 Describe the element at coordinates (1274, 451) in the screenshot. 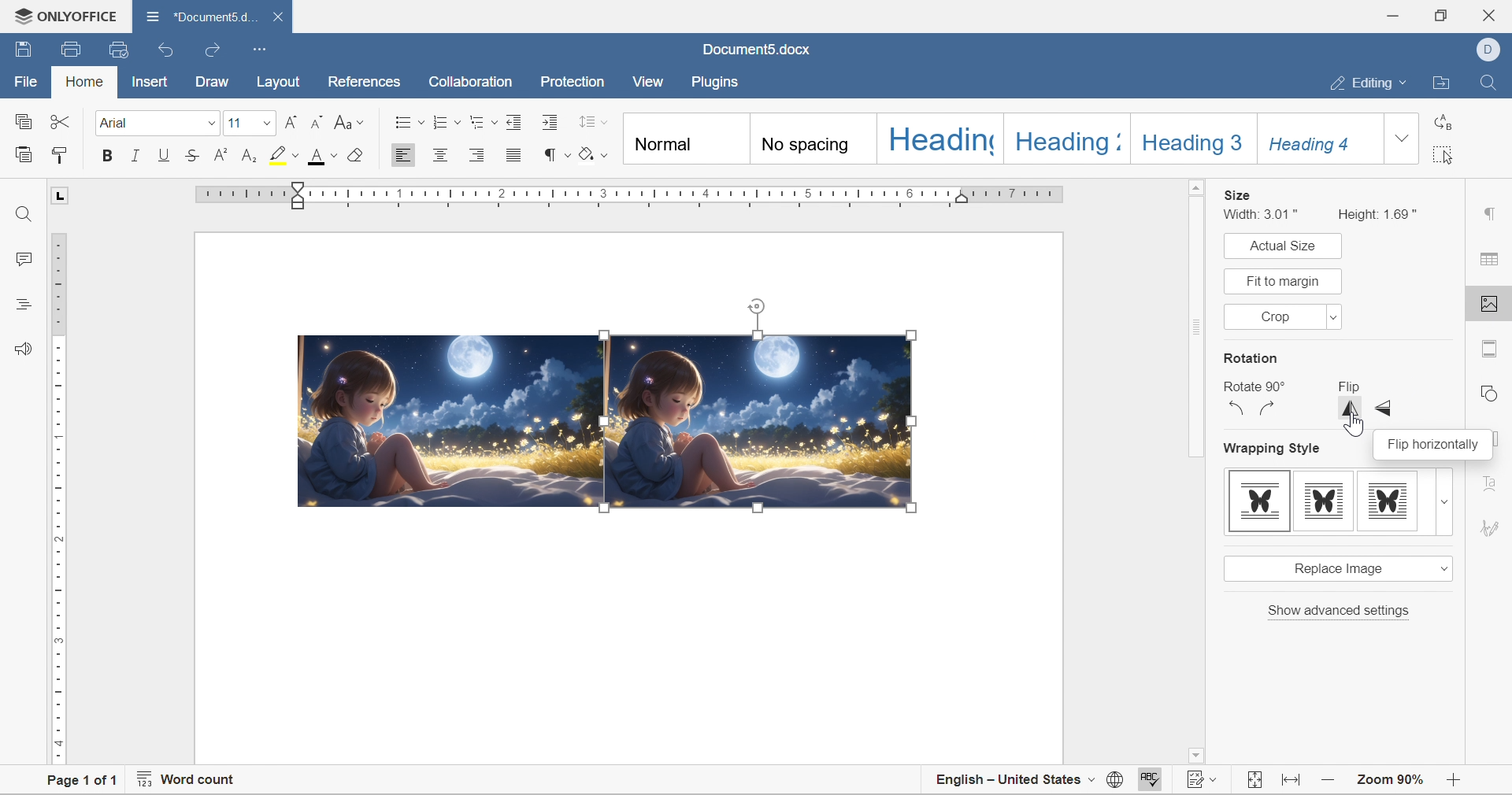

I see `wrapping style` at that location.